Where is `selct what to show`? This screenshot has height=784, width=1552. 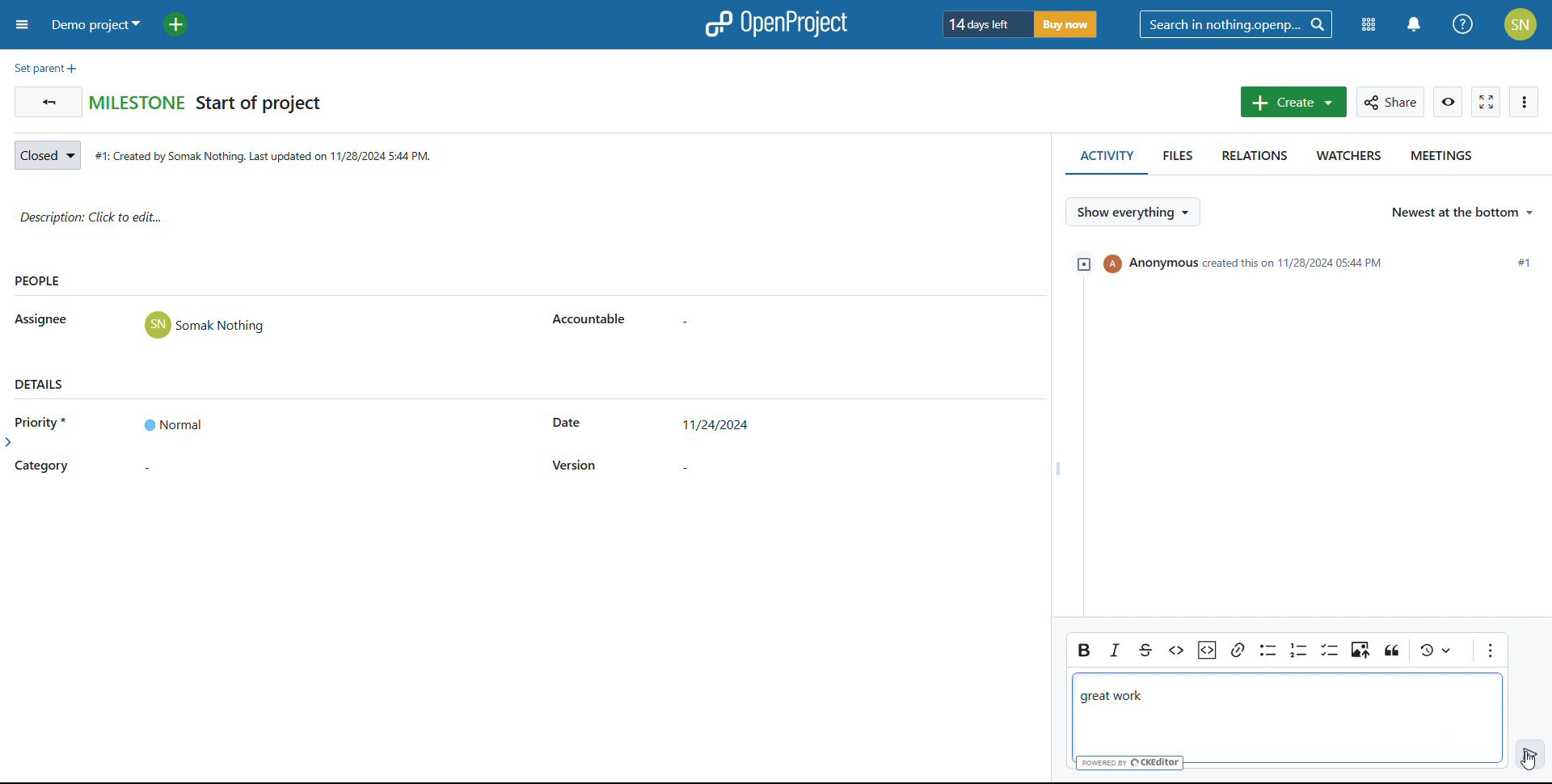
selct what to show is located at coordinates (1132, 211).